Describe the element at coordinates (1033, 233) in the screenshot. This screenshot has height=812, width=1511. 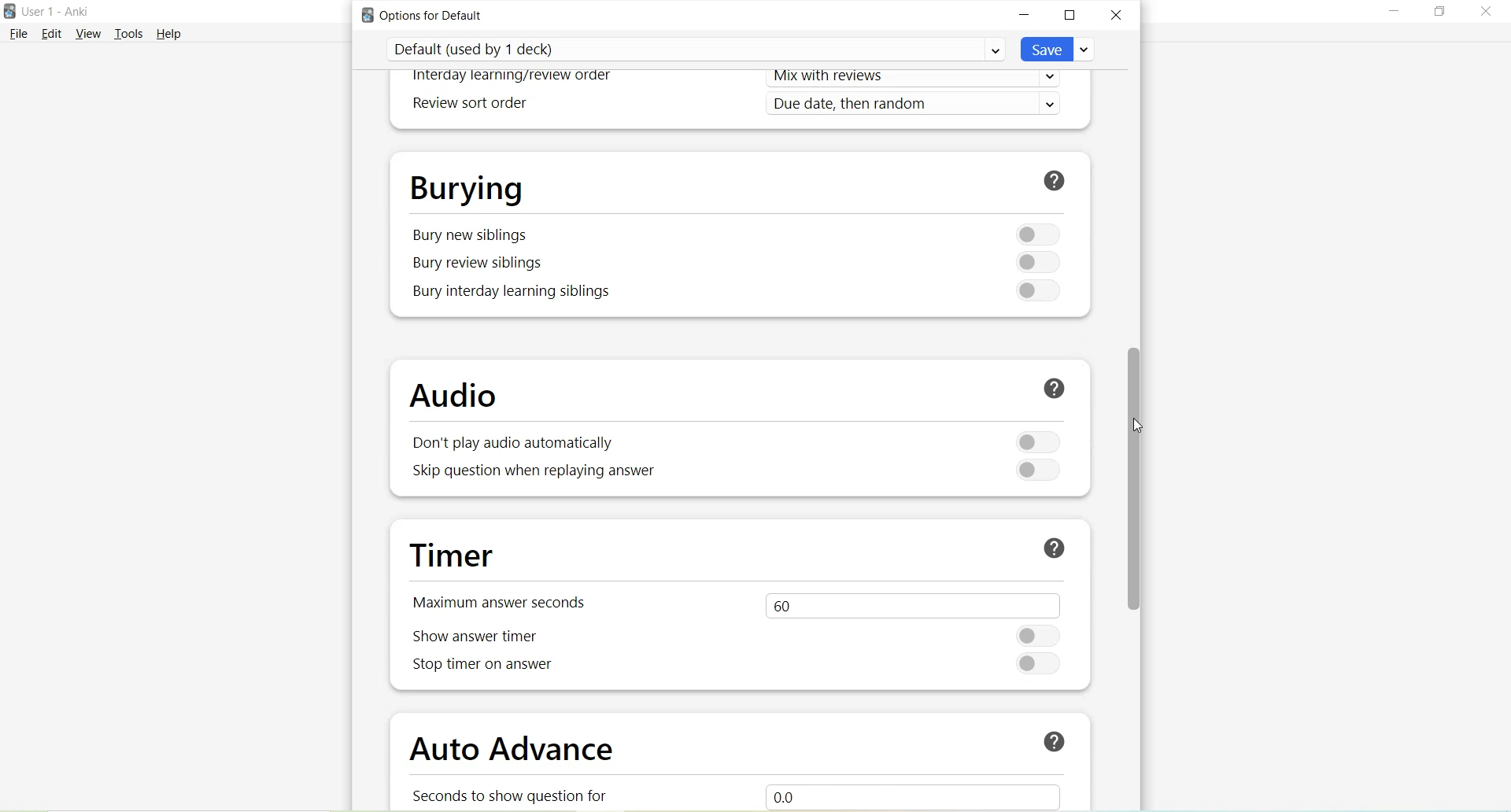
I see `Toggle` at that location.